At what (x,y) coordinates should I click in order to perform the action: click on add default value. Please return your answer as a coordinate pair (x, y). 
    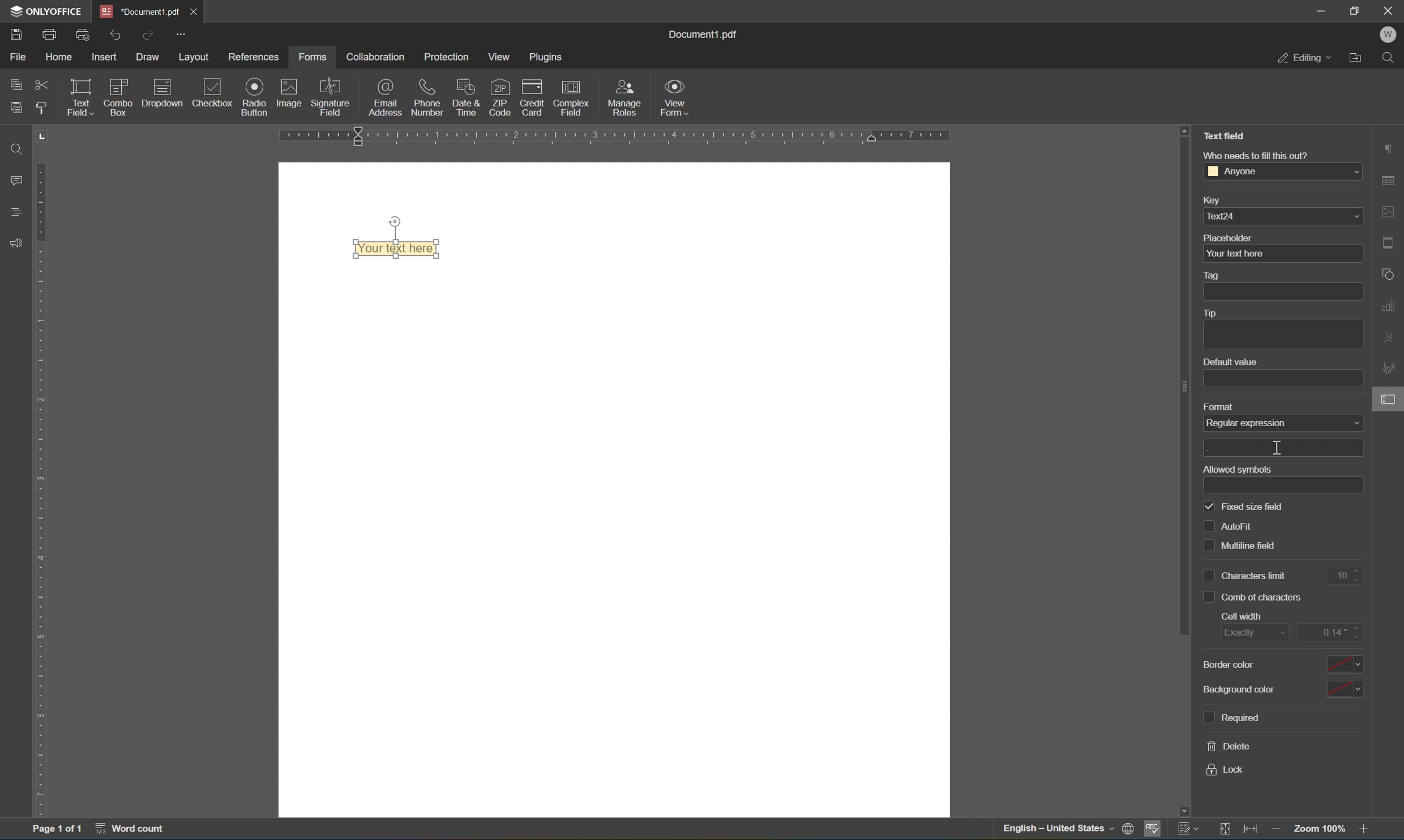
    Looking at the image, I should click on (1283, 379).